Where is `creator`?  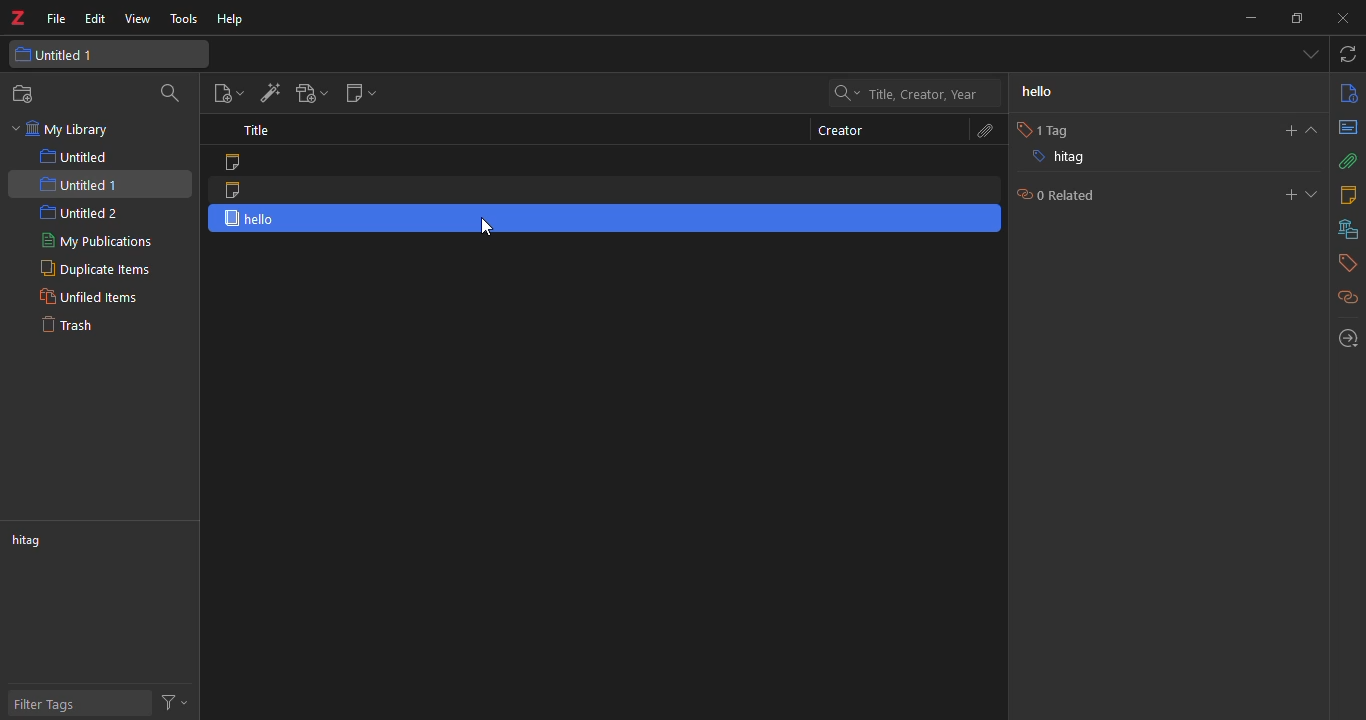
creator is located at coordinates (841, 130).